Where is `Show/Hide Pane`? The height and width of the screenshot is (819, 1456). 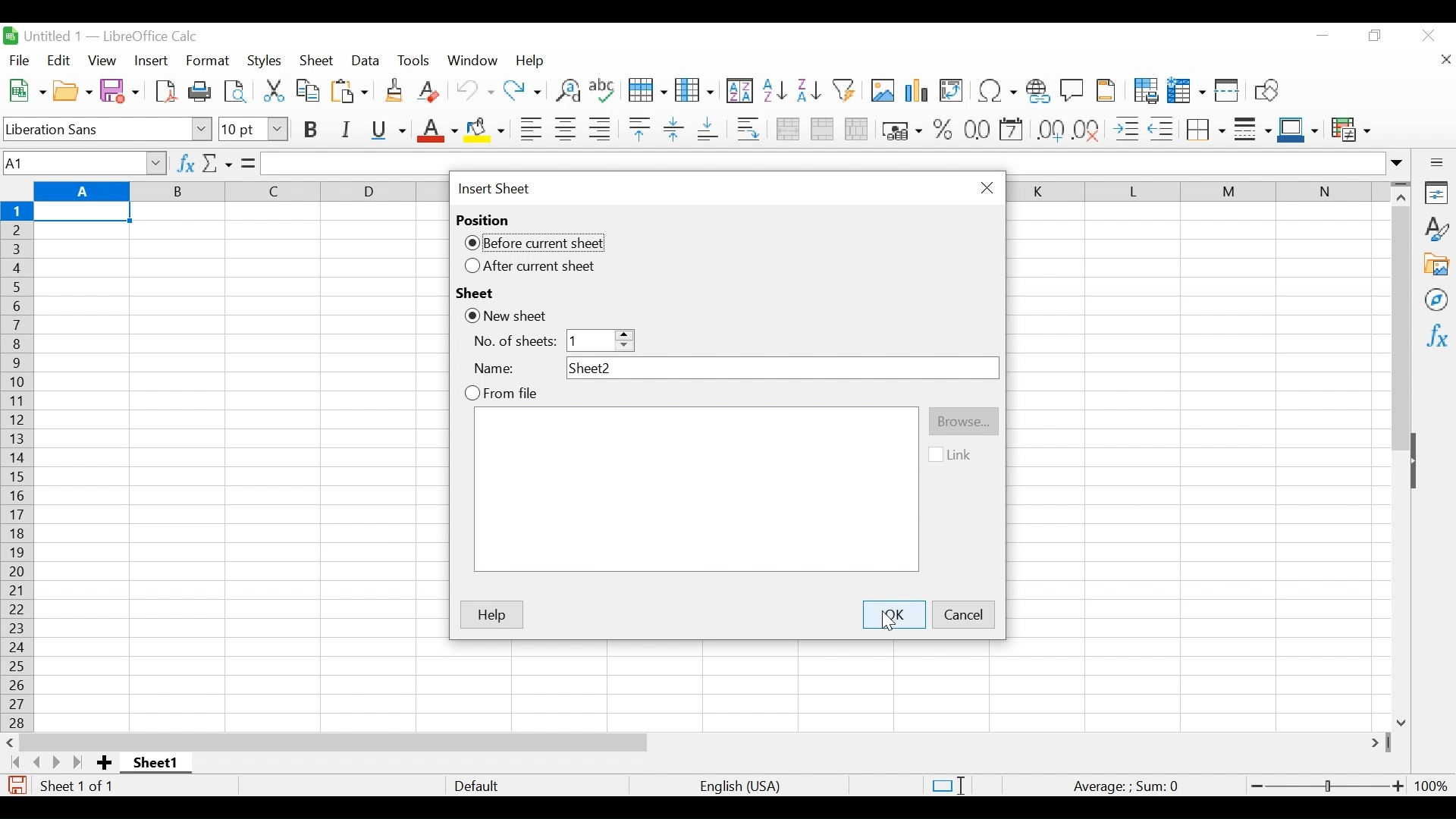
Show/Hide Pane is located at coordinates (1421, 463).